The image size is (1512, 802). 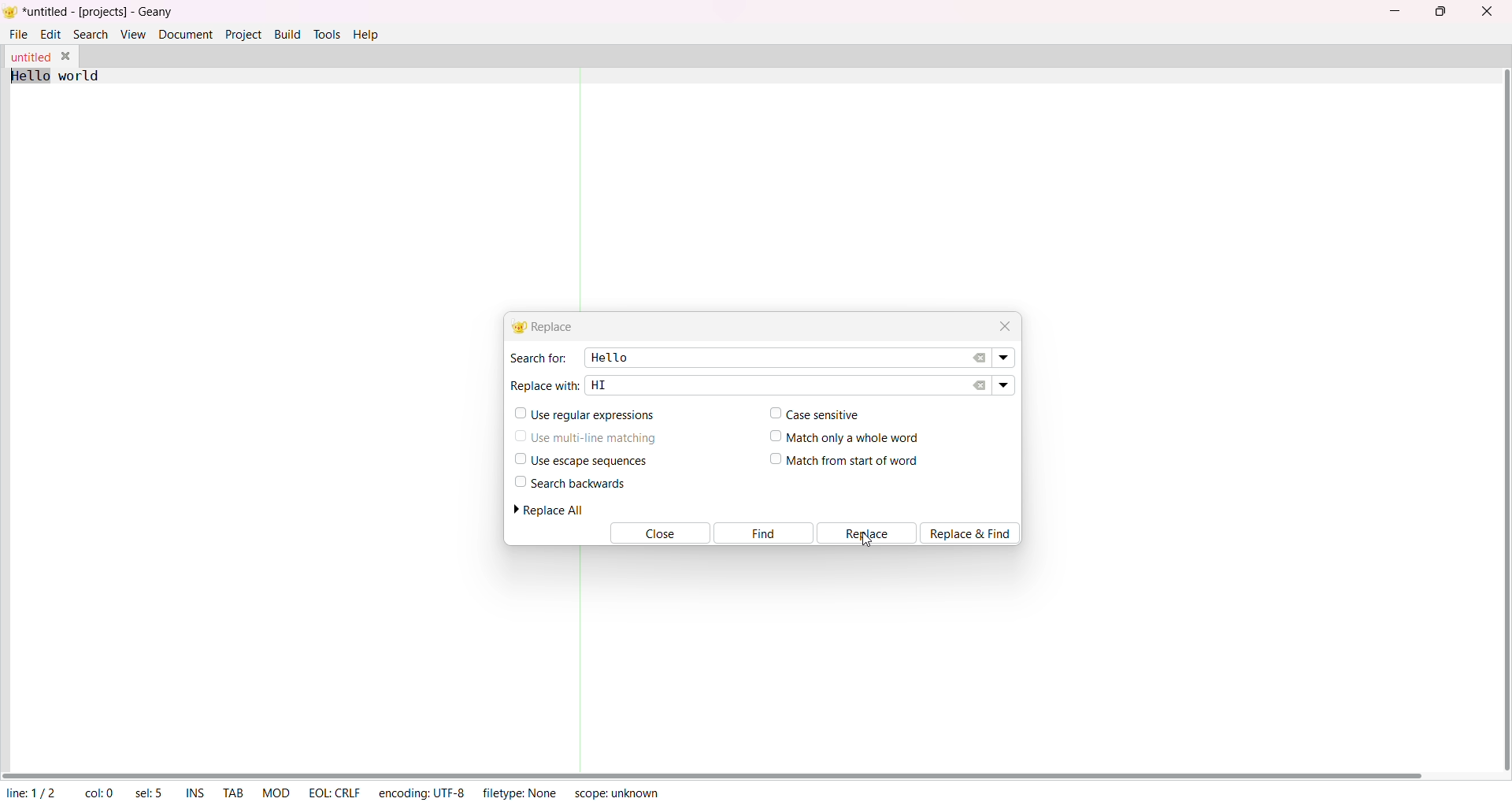 I want to click on horizontal scroll bar, so click(x=715, y=774).